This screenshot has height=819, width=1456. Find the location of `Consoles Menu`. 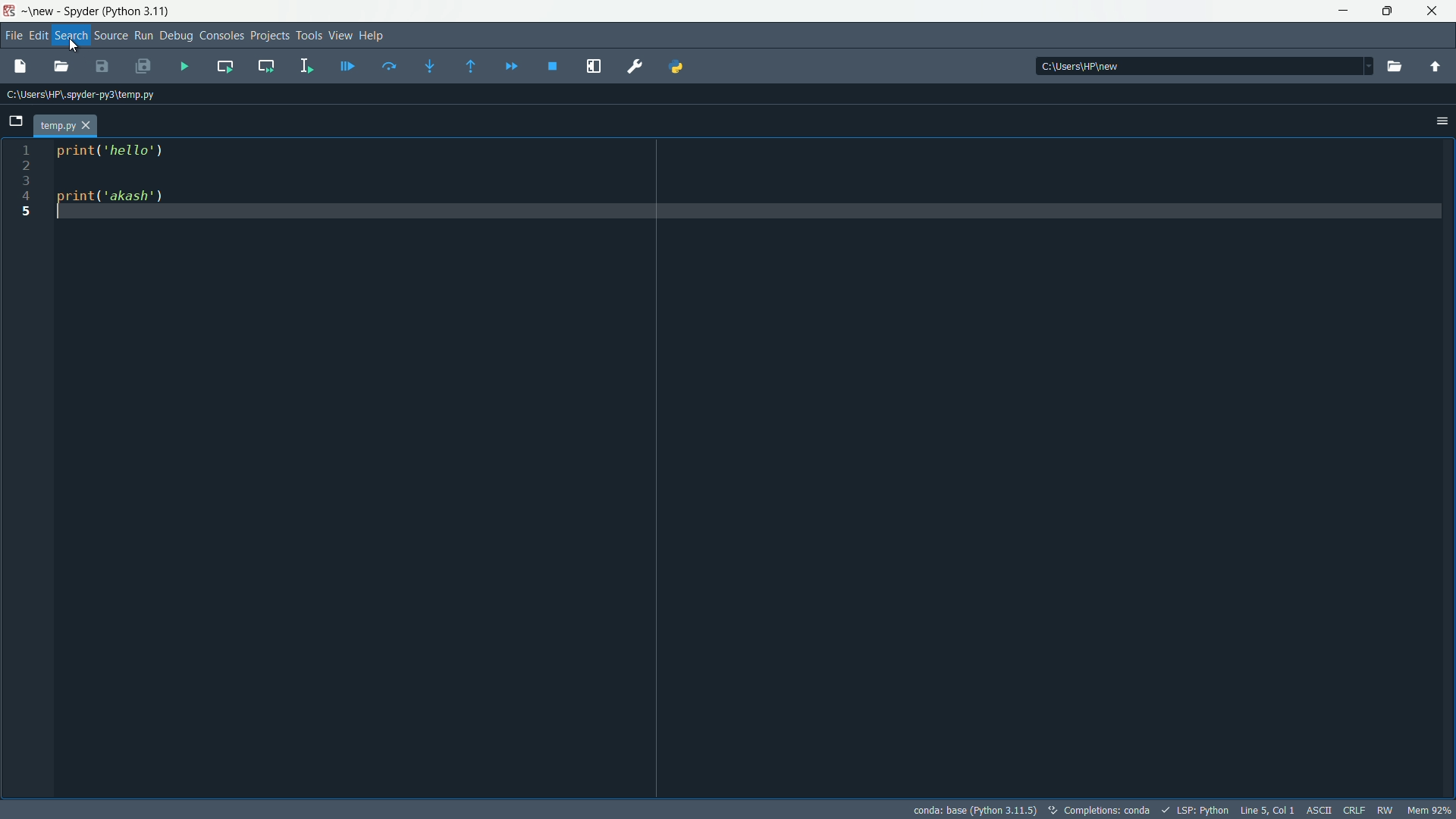

Consoles Menu is located at coordinates (220, 35).